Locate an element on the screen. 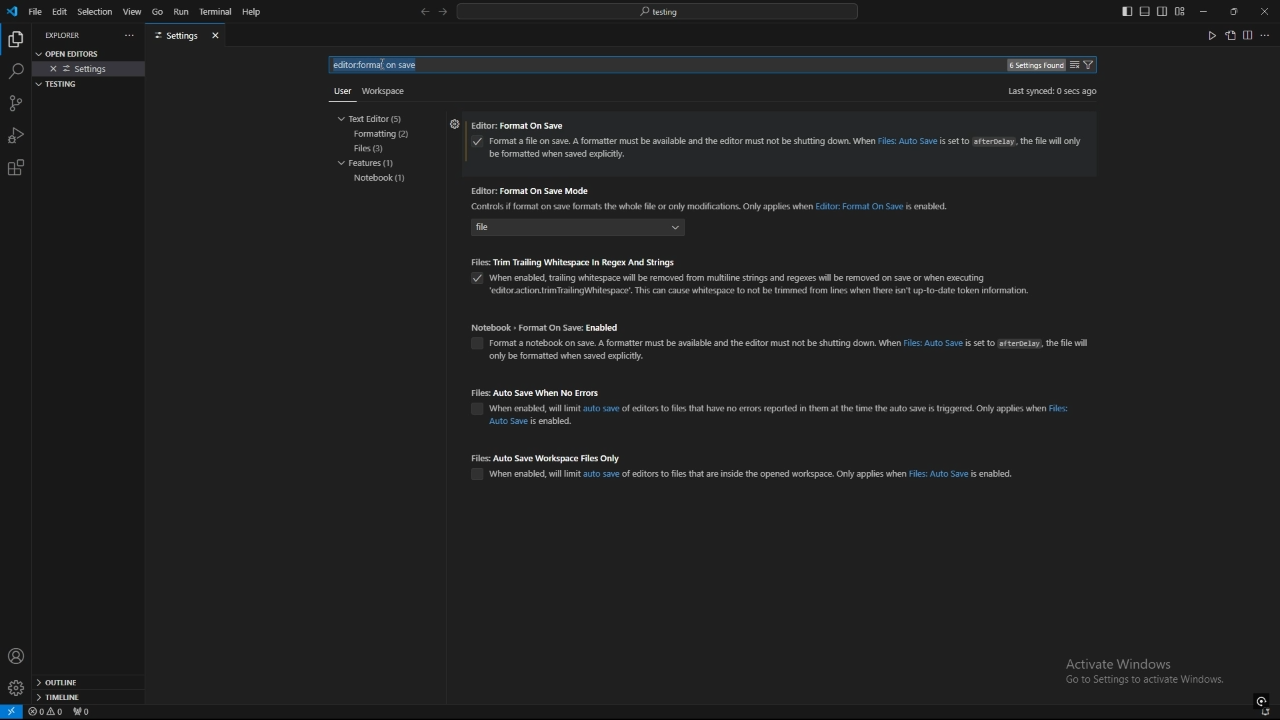  Last synced: 0 secs ago is located at coordinates (1051, 91).